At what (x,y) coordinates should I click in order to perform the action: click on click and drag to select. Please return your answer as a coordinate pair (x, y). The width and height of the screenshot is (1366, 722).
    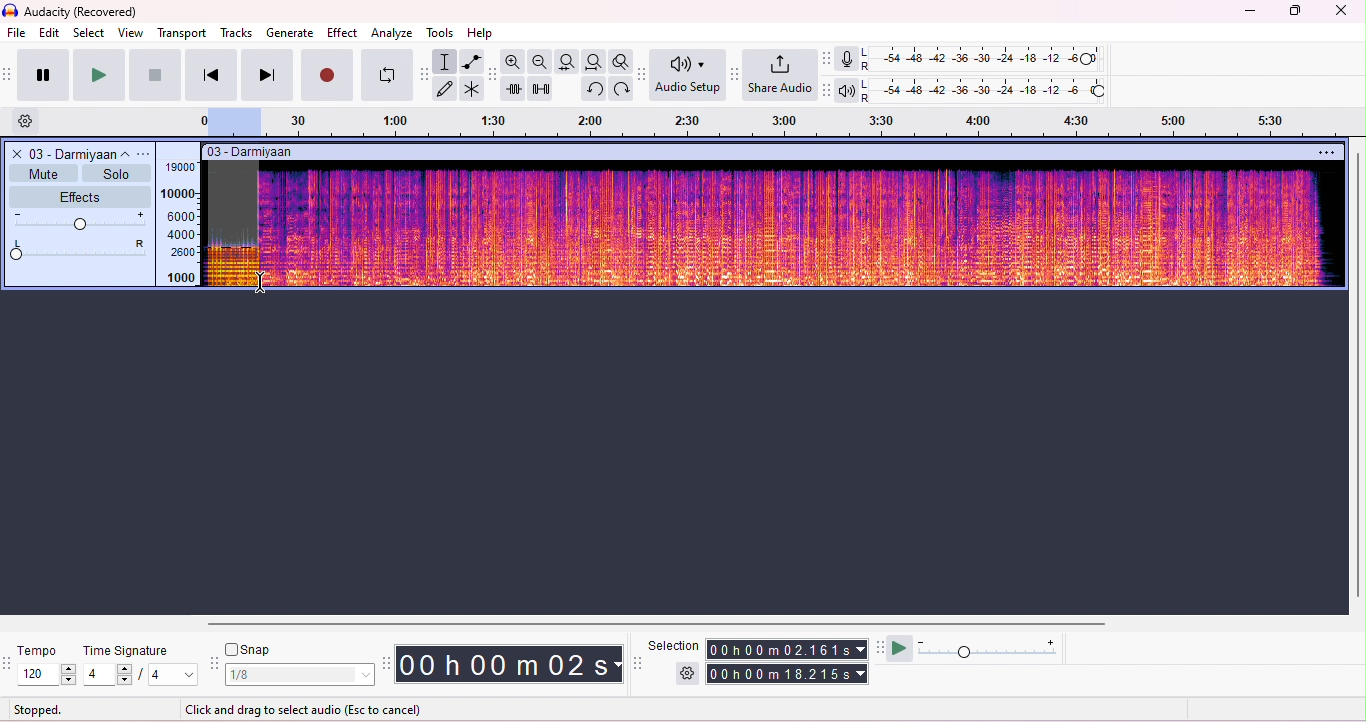
    Looking at the image, I should click on (304, 707).